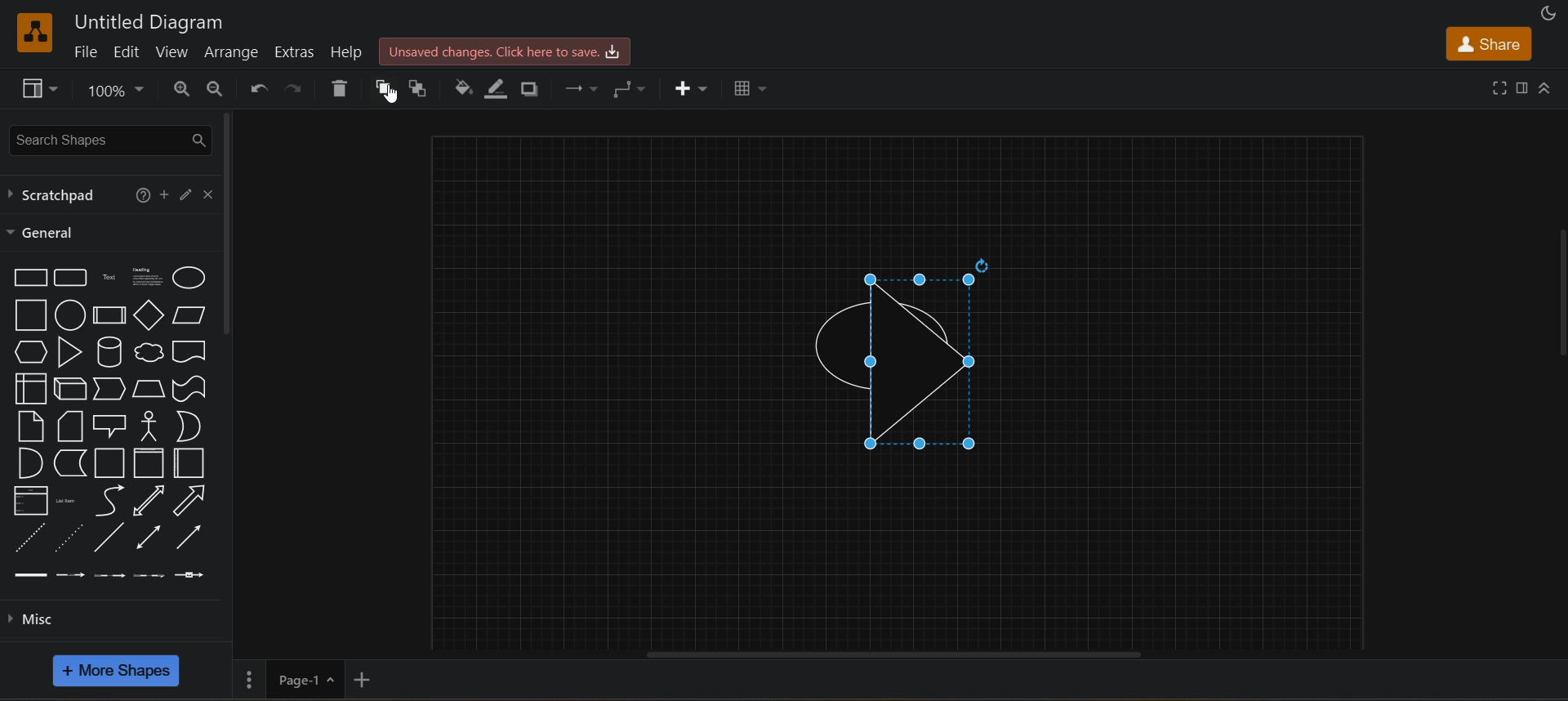 This screenshot has width=1568, height=701. Describe the element at coordinates (1557, 290) in the screenshot. I see `vertical scroll  bar` at that location.